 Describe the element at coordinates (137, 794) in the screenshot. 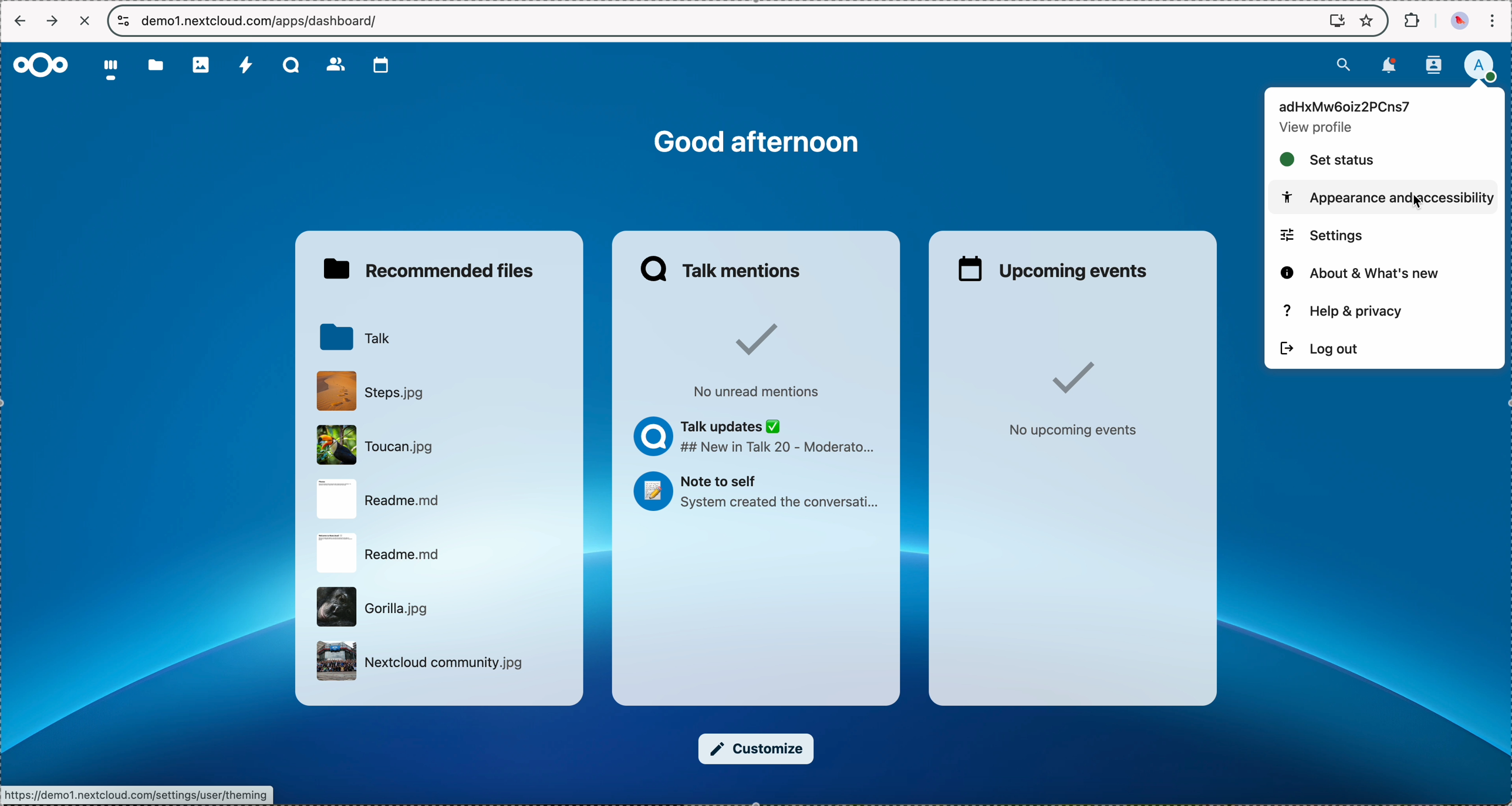

I see `URL` at that location.